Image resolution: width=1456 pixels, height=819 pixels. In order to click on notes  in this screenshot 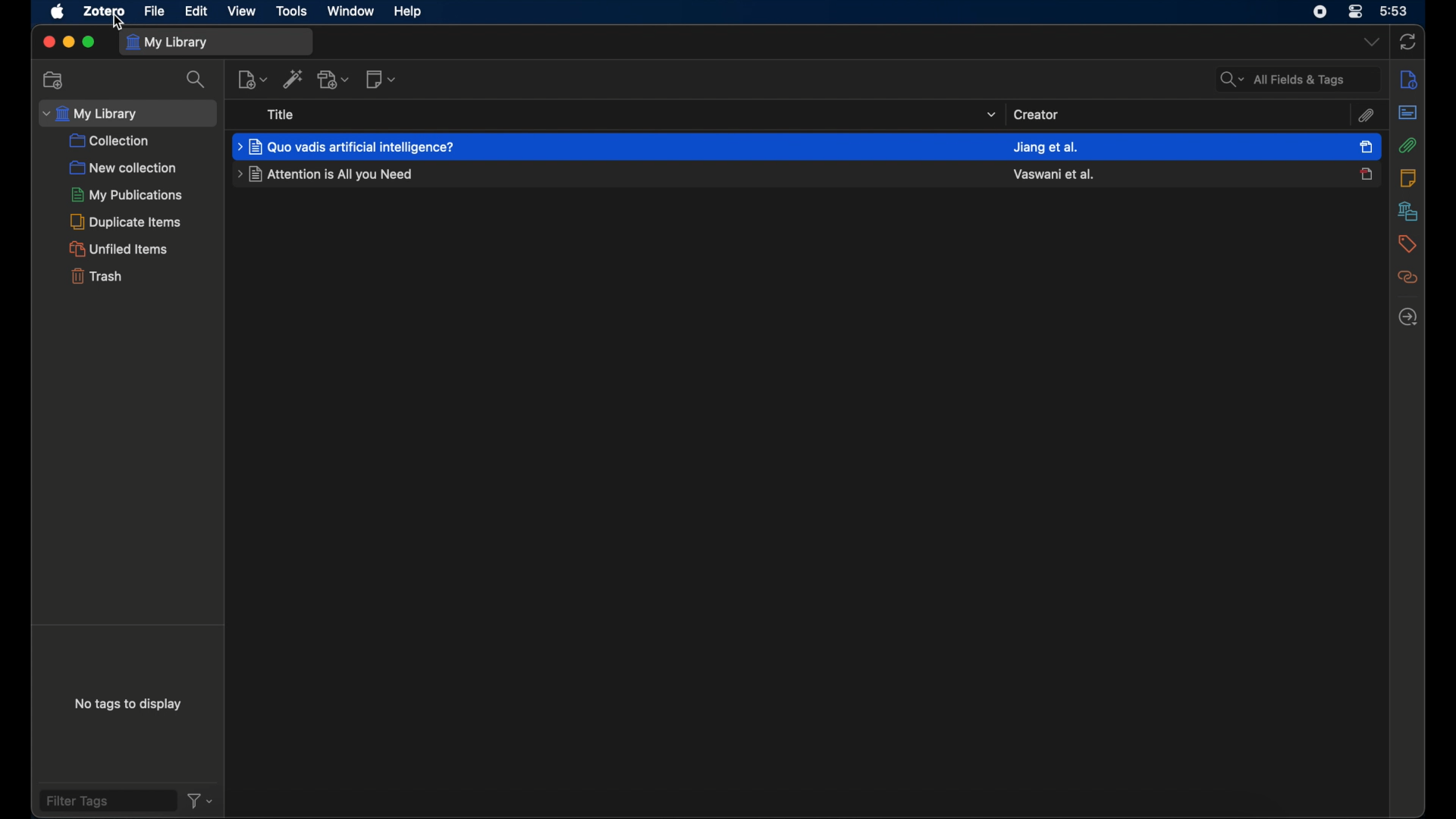, I will do `click(1407, 177)`.